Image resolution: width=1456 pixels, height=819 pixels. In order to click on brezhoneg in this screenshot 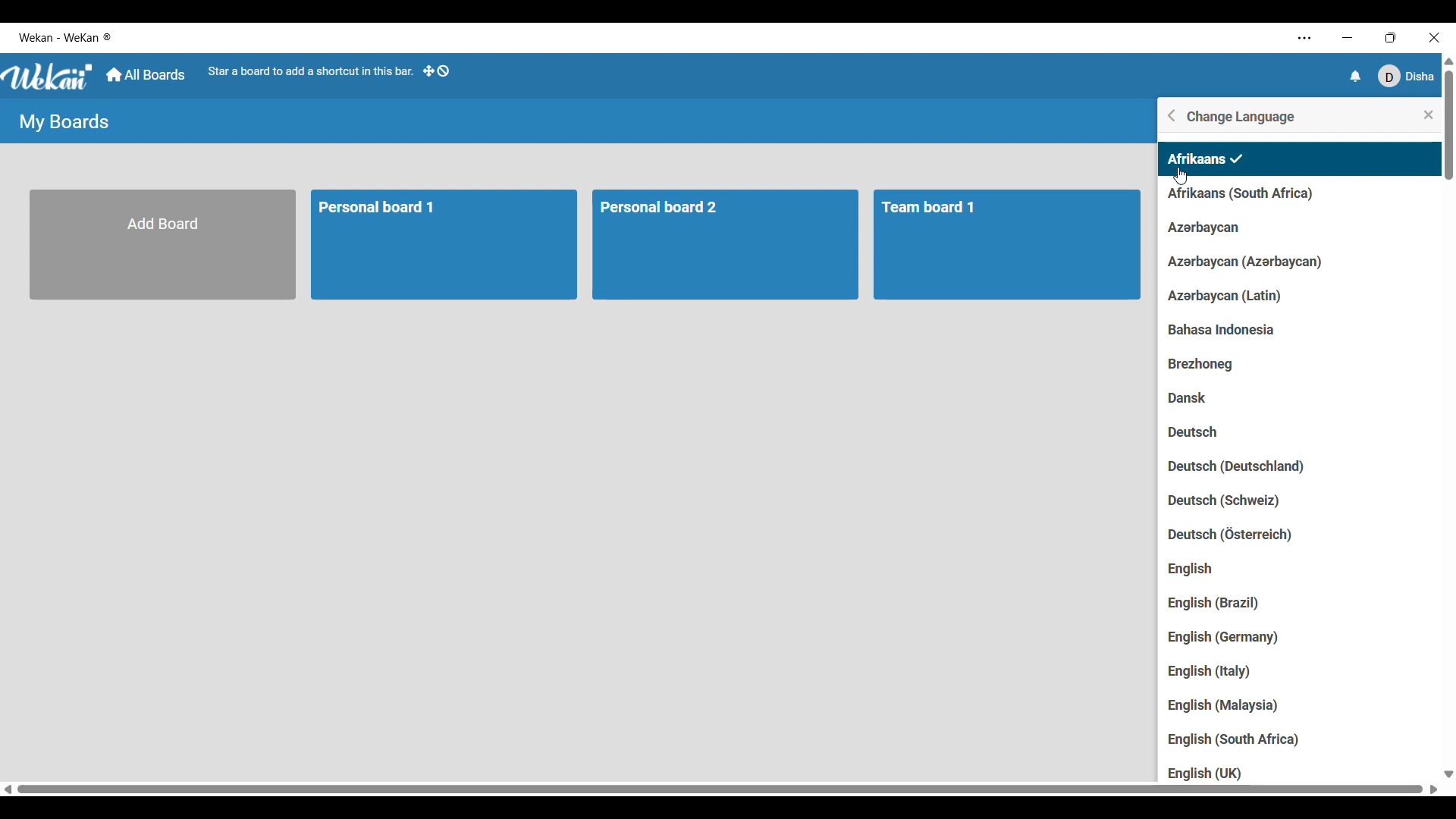, I will do `click(1211, 365)`.